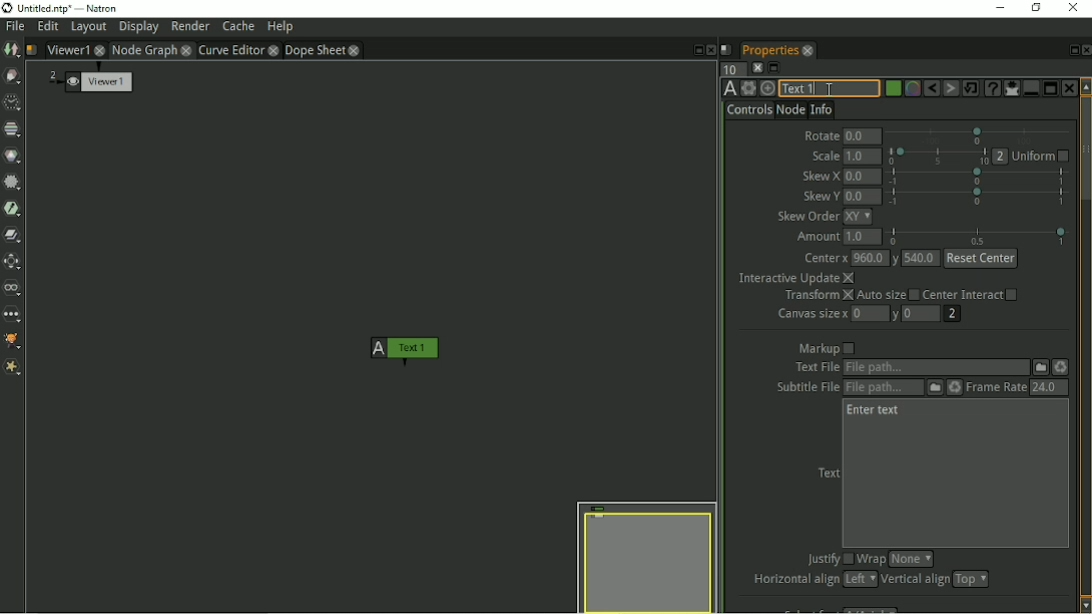 The width and height of the screenshot is (1092, 614). What do you see at coordinates (816, 296) in the screenshot?
I see `Transform` at bounding box center [816, 296].